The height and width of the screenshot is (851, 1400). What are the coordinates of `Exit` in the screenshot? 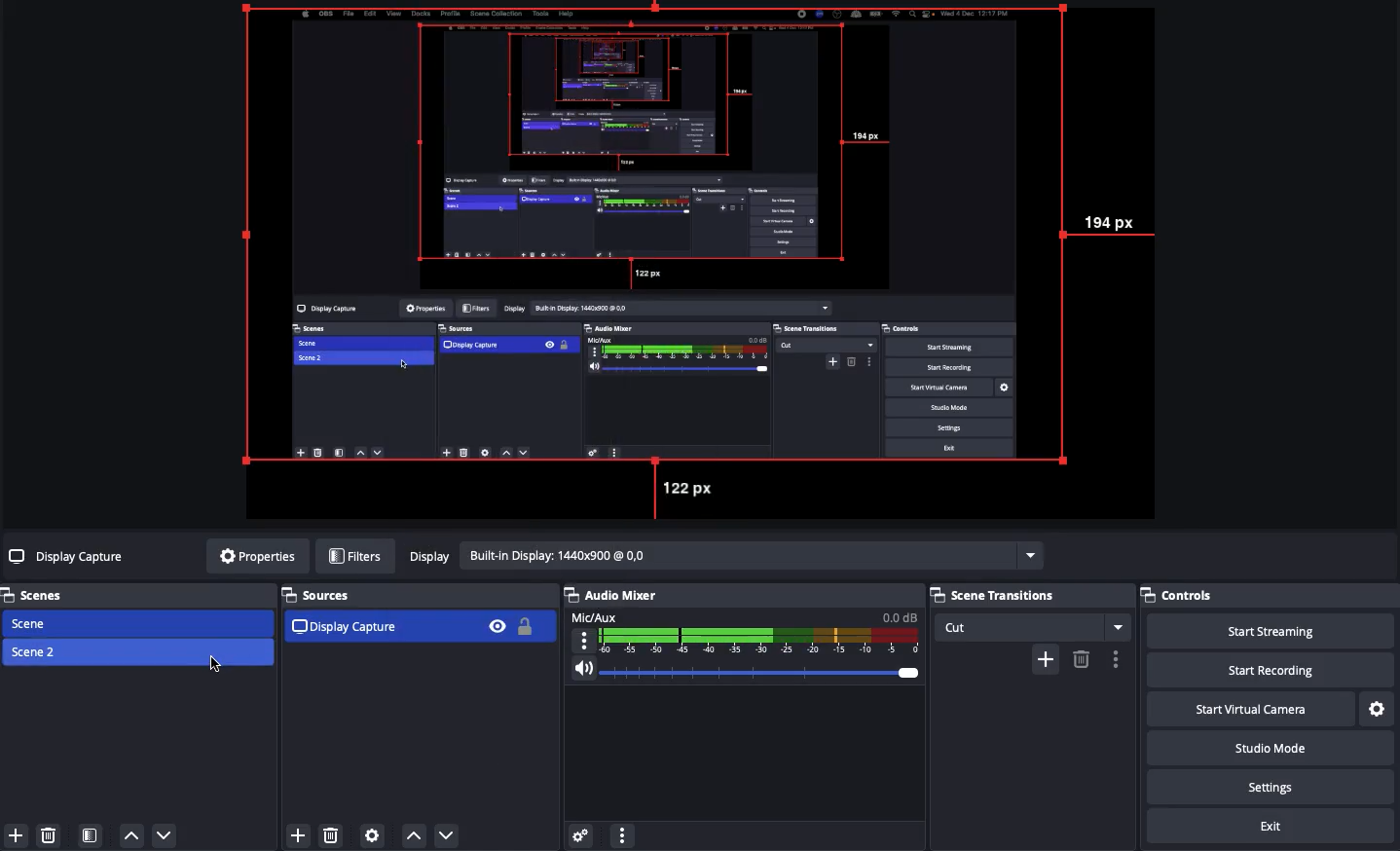 It's located at (1271, 824).